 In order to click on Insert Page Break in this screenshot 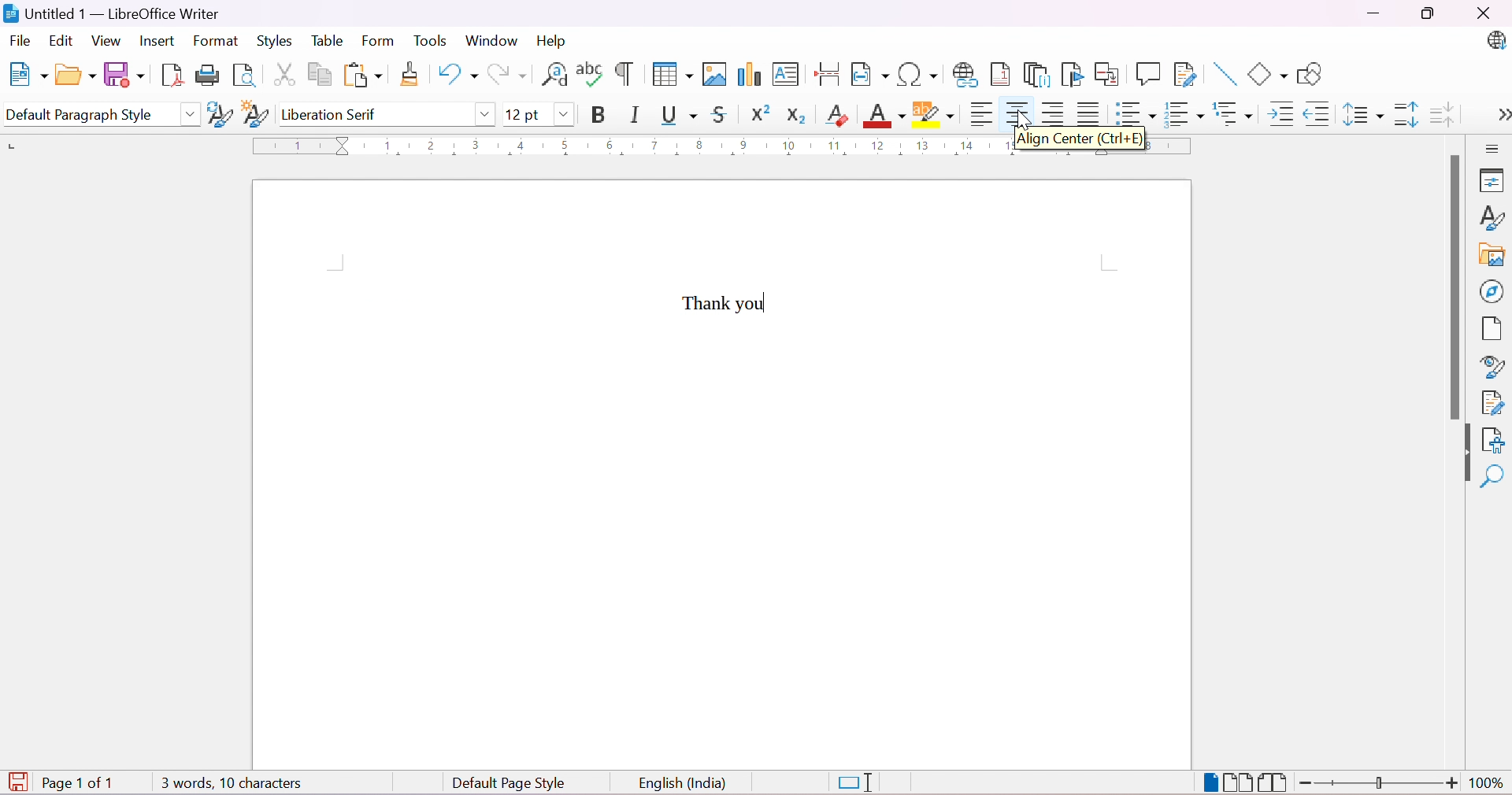, I will do `click(828, 76)`.